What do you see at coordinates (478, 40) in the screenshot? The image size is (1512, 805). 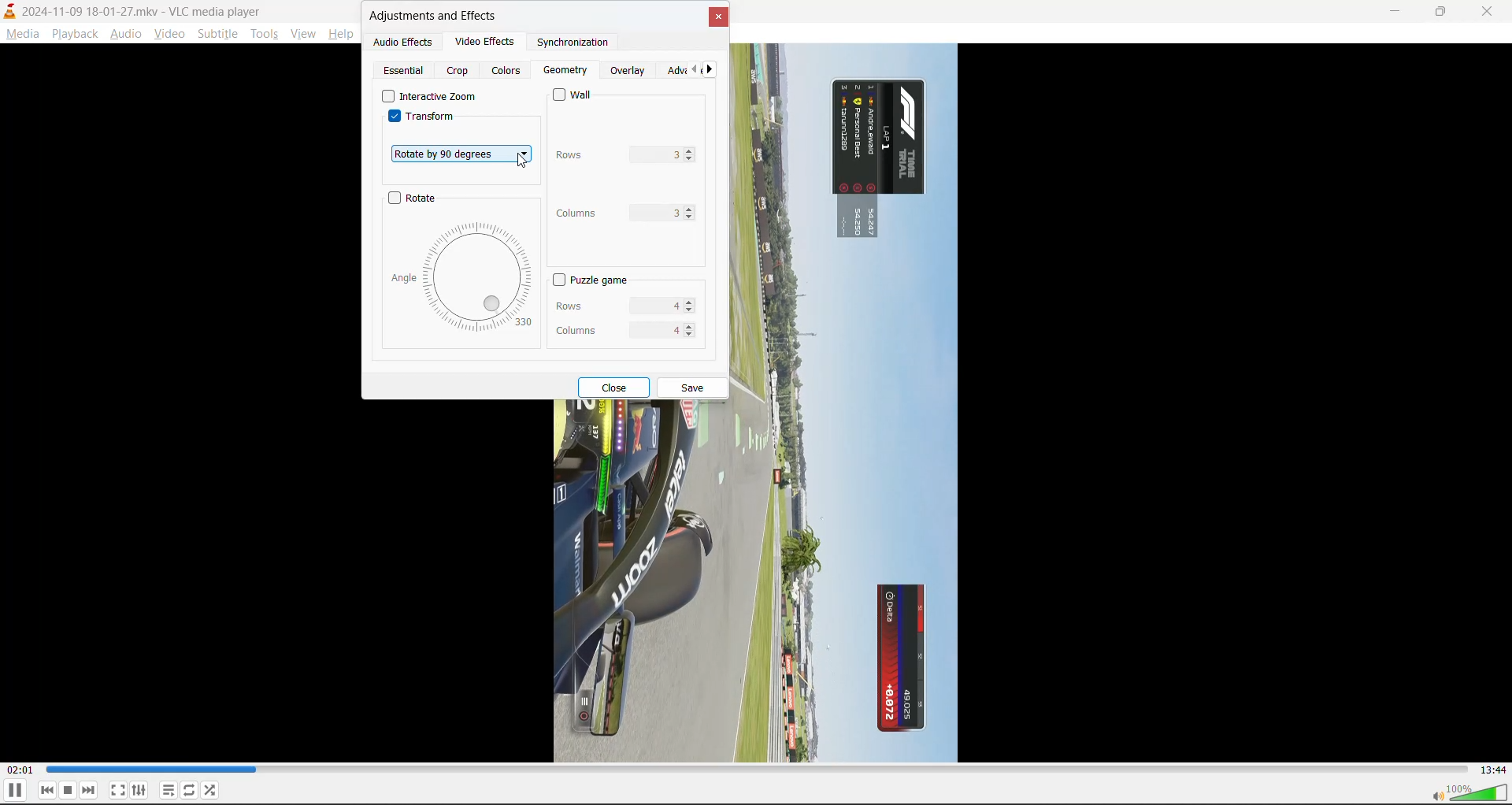 I see `video effects` at bounding box center [478, 40].